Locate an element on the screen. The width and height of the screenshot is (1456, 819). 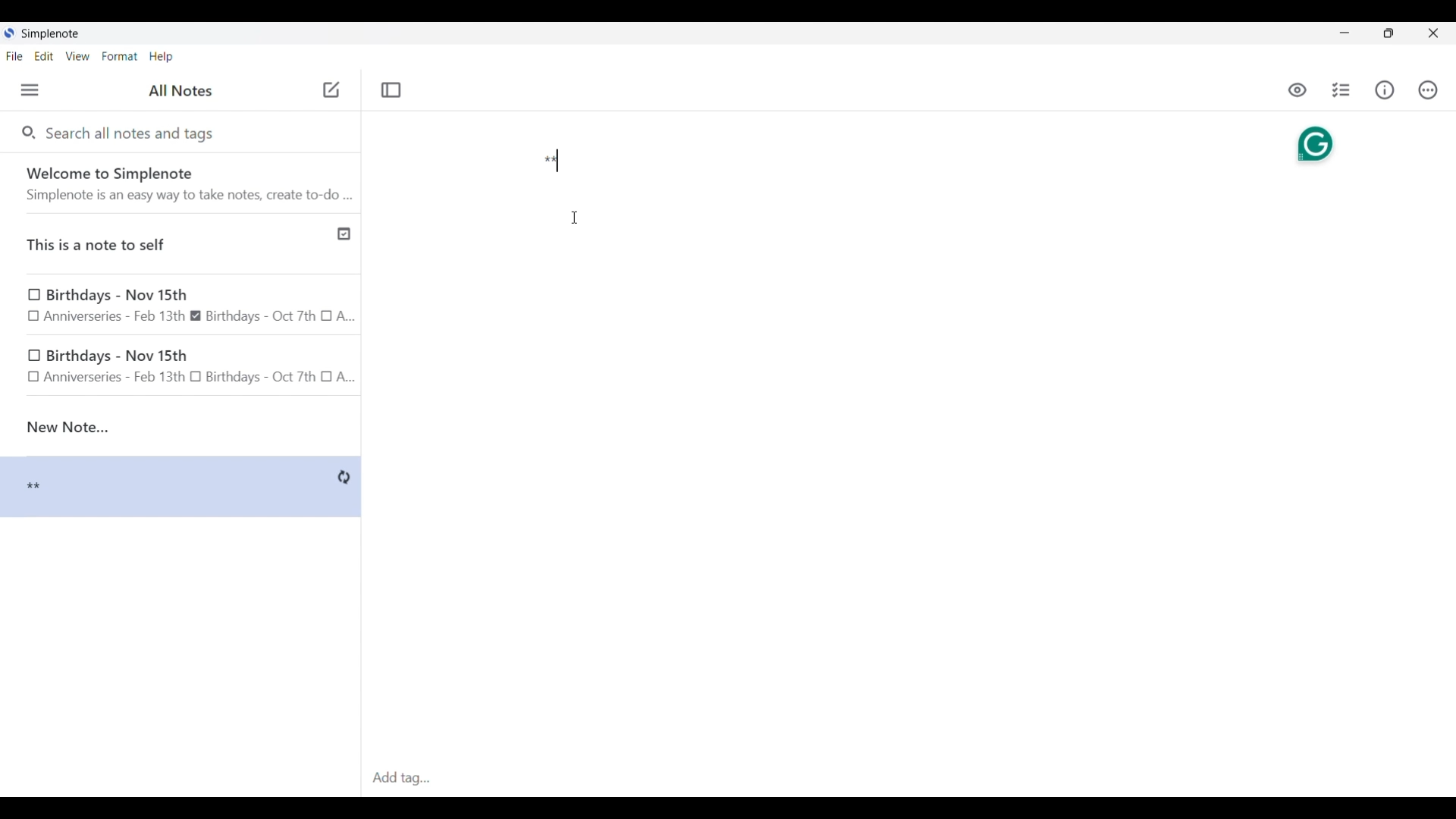
Birthday note is located at coordinates (181, 306).